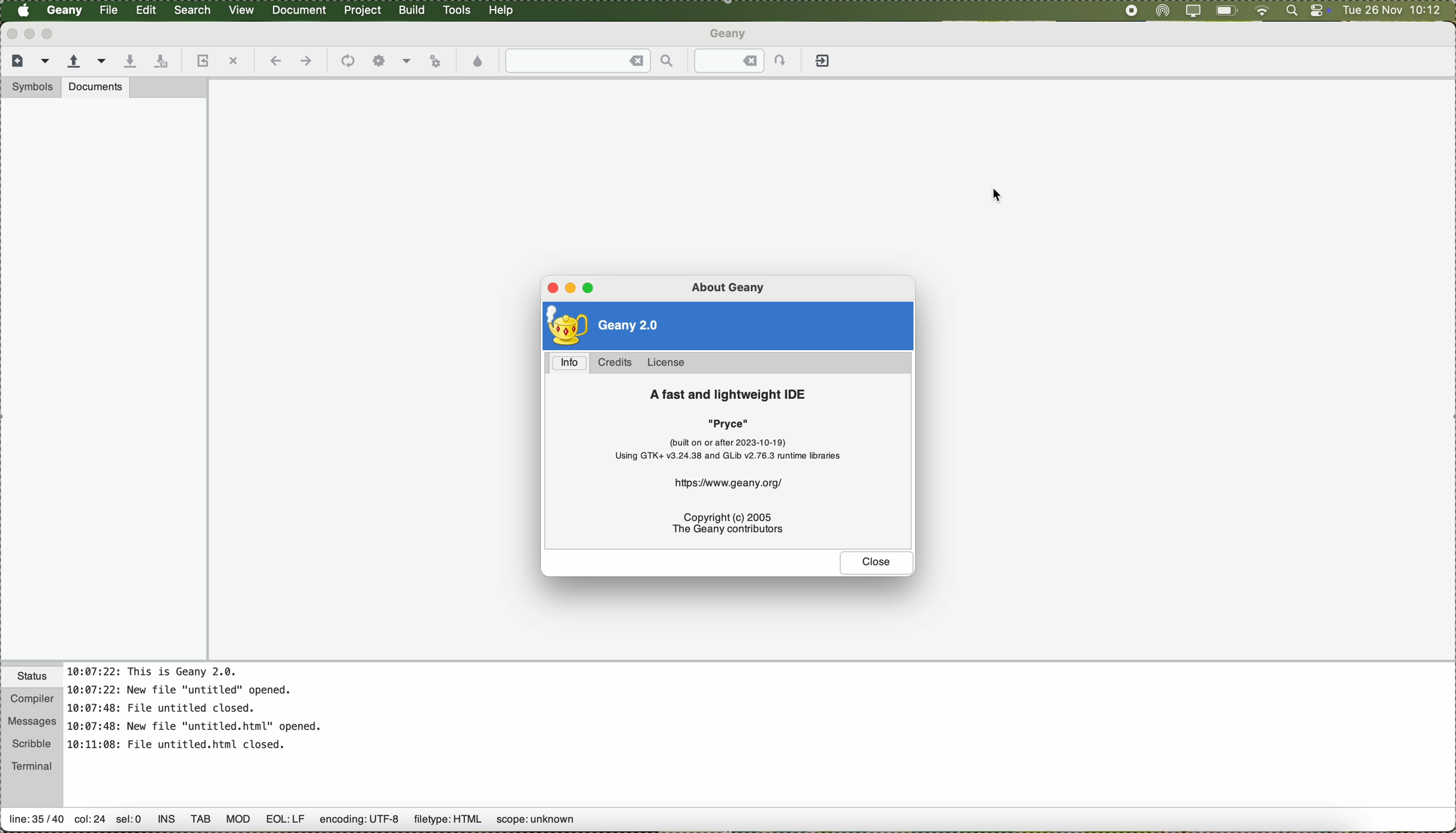 The height and width of the screenshot is (833, 1456). Describe the element at coordinates (130, 822) in the screenshot. I see `sel:0` at that location.